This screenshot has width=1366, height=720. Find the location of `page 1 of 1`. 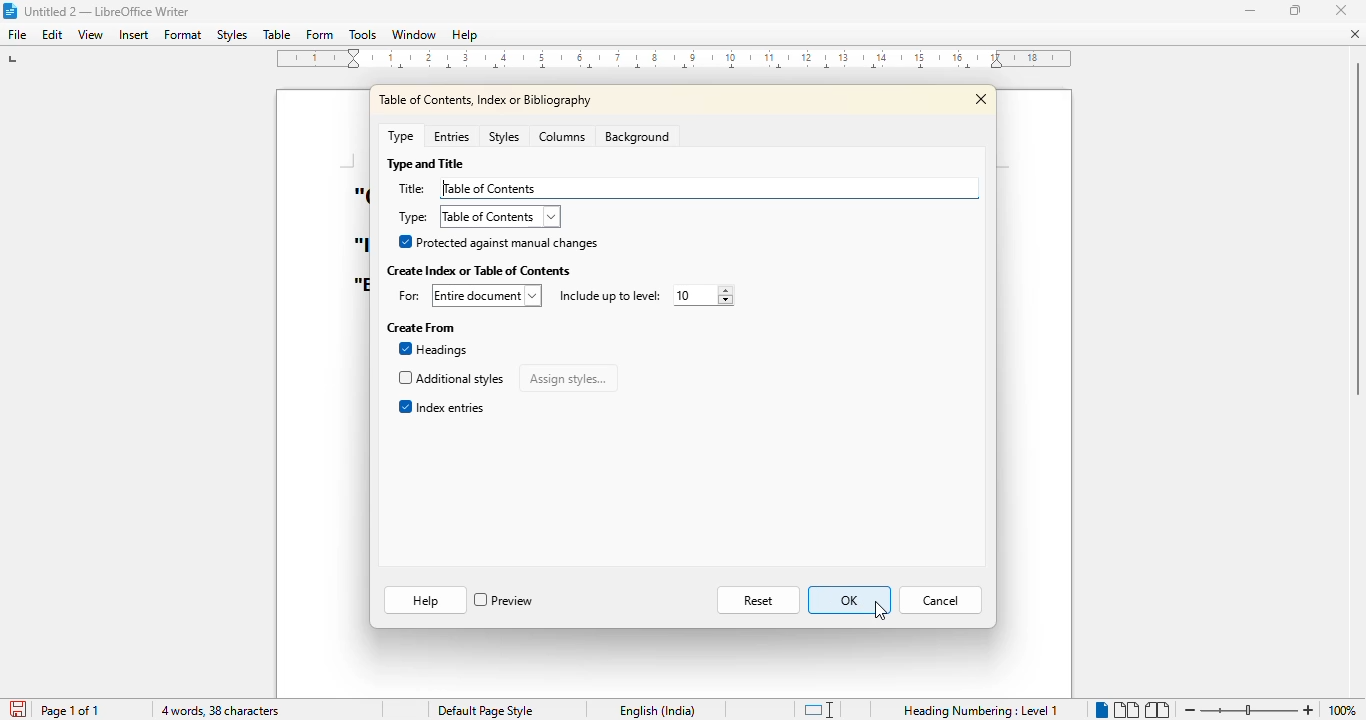

page 1 of 1 is located at coordinates (71, 710).